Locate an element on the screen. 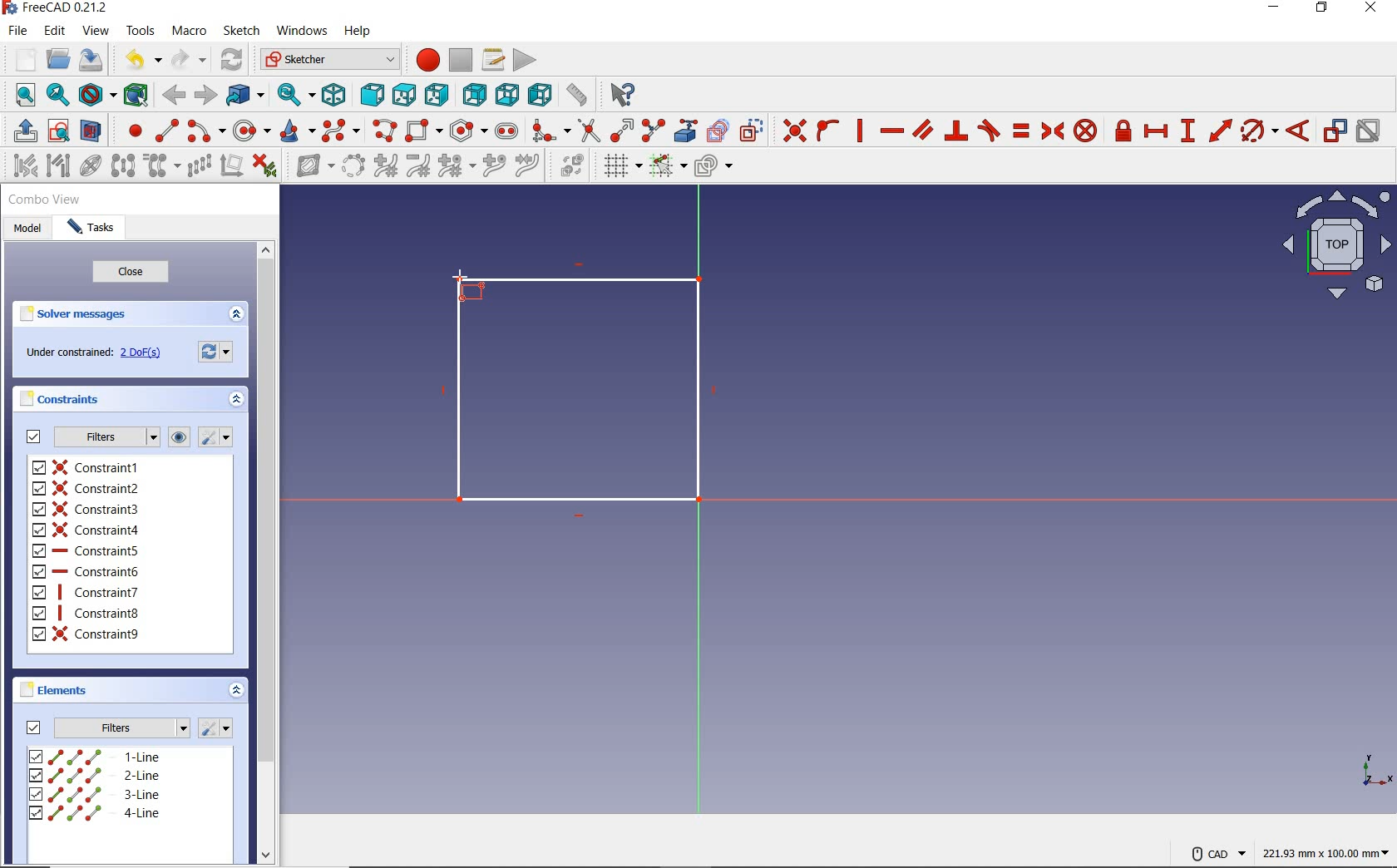 This screenshot has width=1397, height=868. execute macro is located at coordinates (525, 60).